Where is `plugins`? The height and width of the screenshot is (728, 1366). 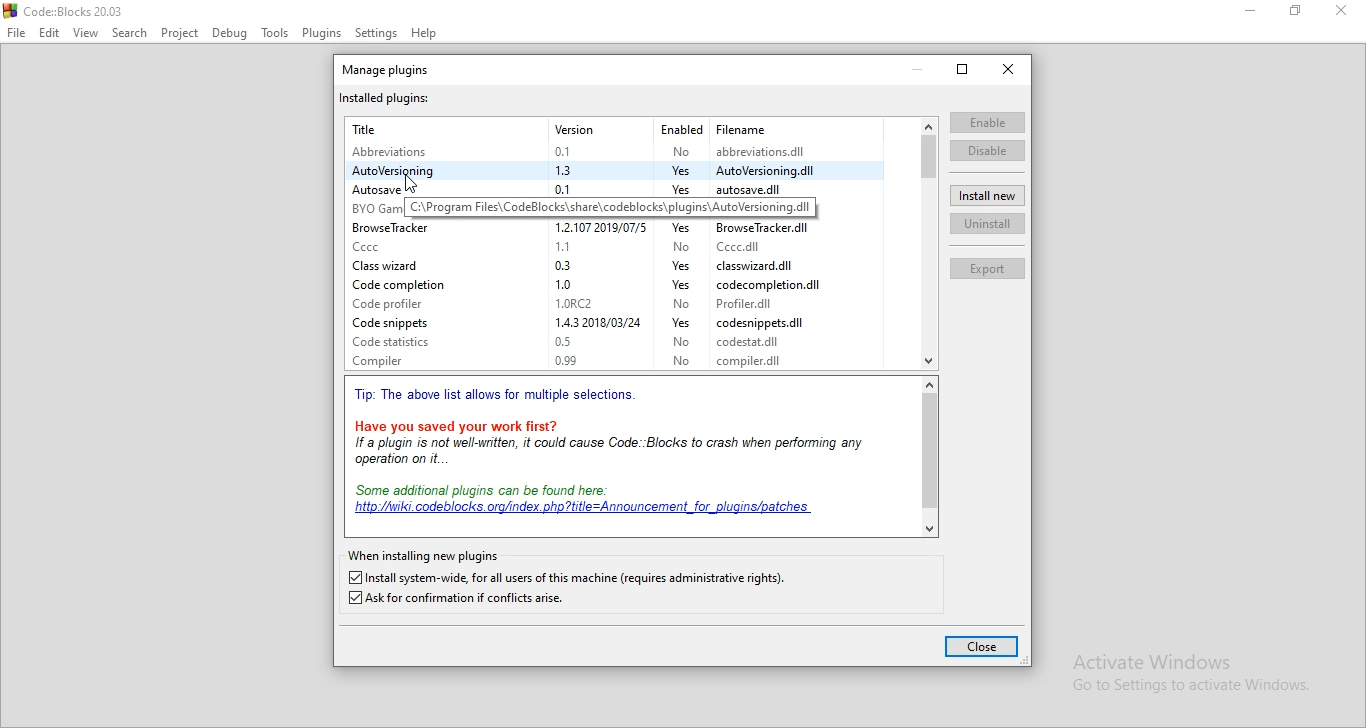
plugins is located at coordinates (323, 33).